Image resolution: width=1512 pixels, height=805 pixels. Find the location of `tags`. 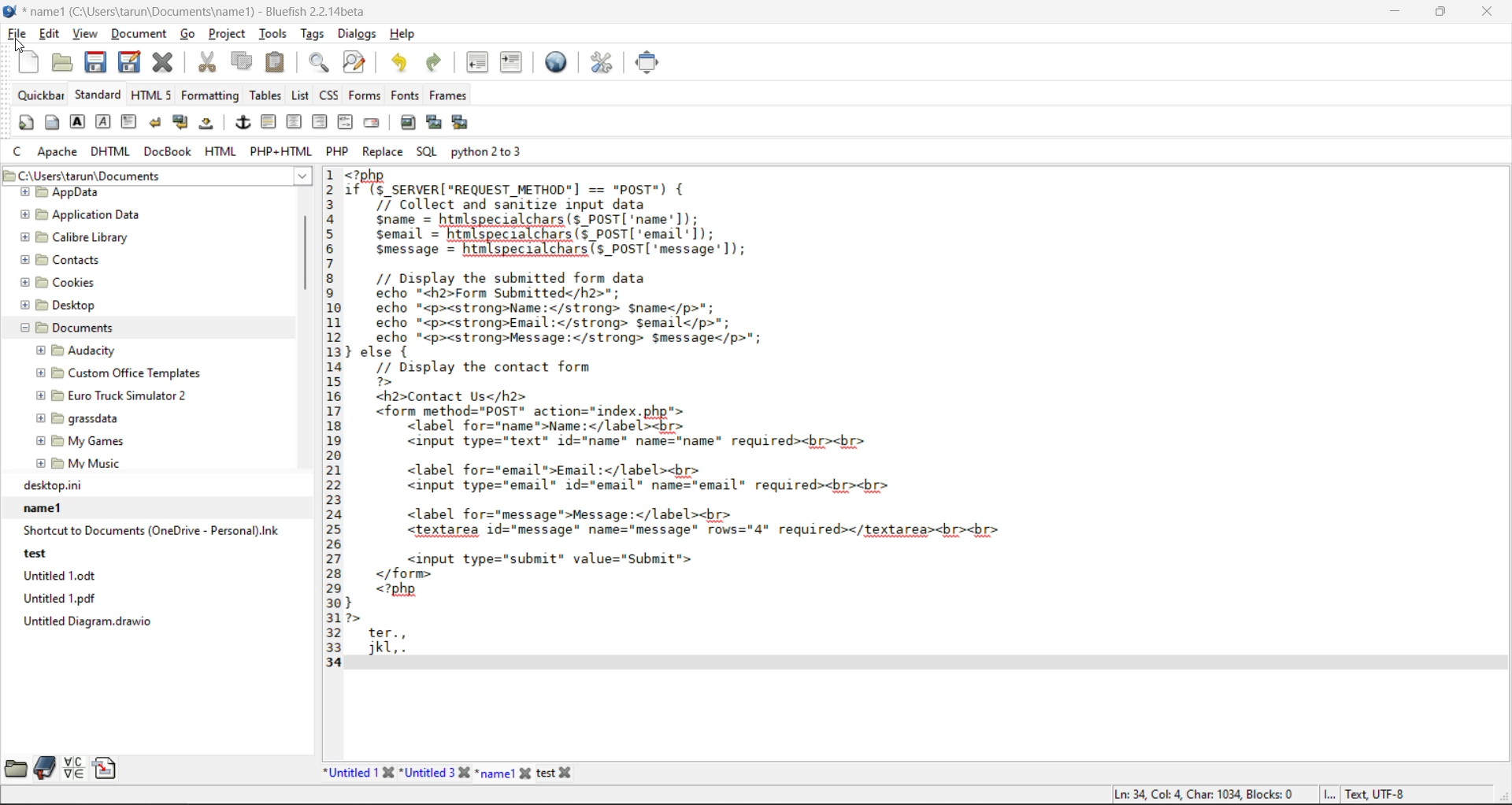

tags is located at coordinates (313, 33).